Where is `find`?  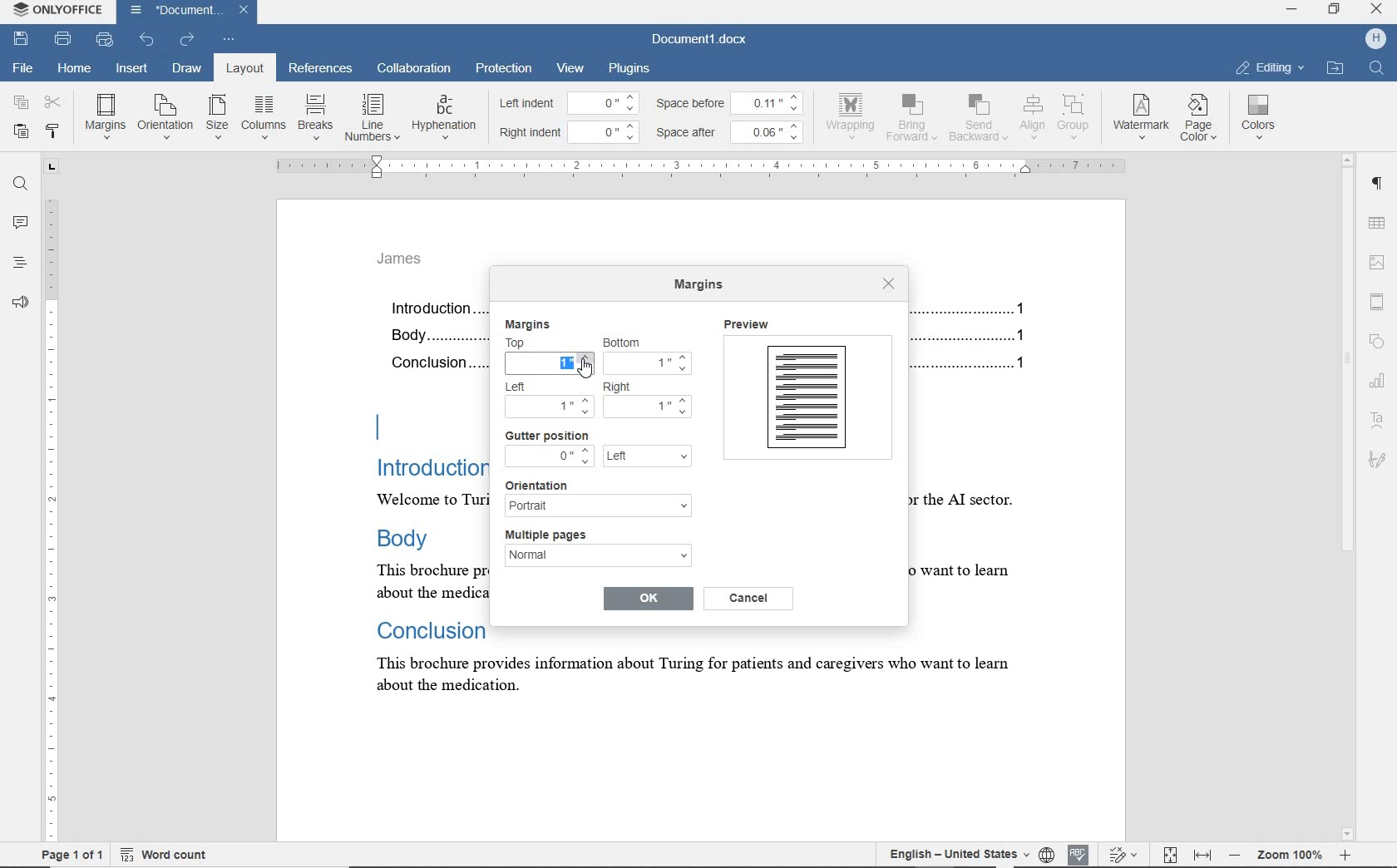 find is located at coordinates (21, 186).